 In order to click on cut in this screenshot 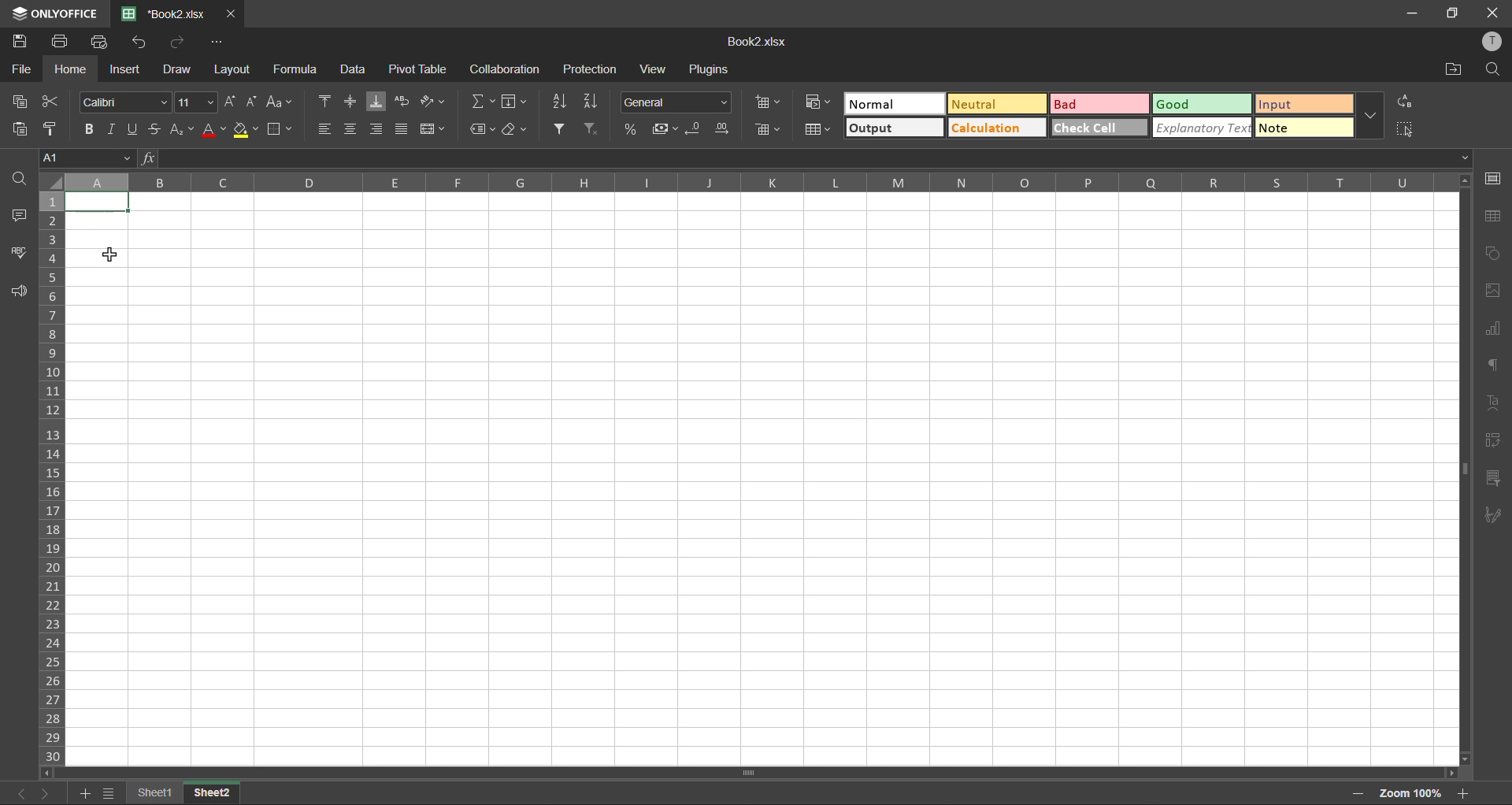, I will do `click(46, 102)`.